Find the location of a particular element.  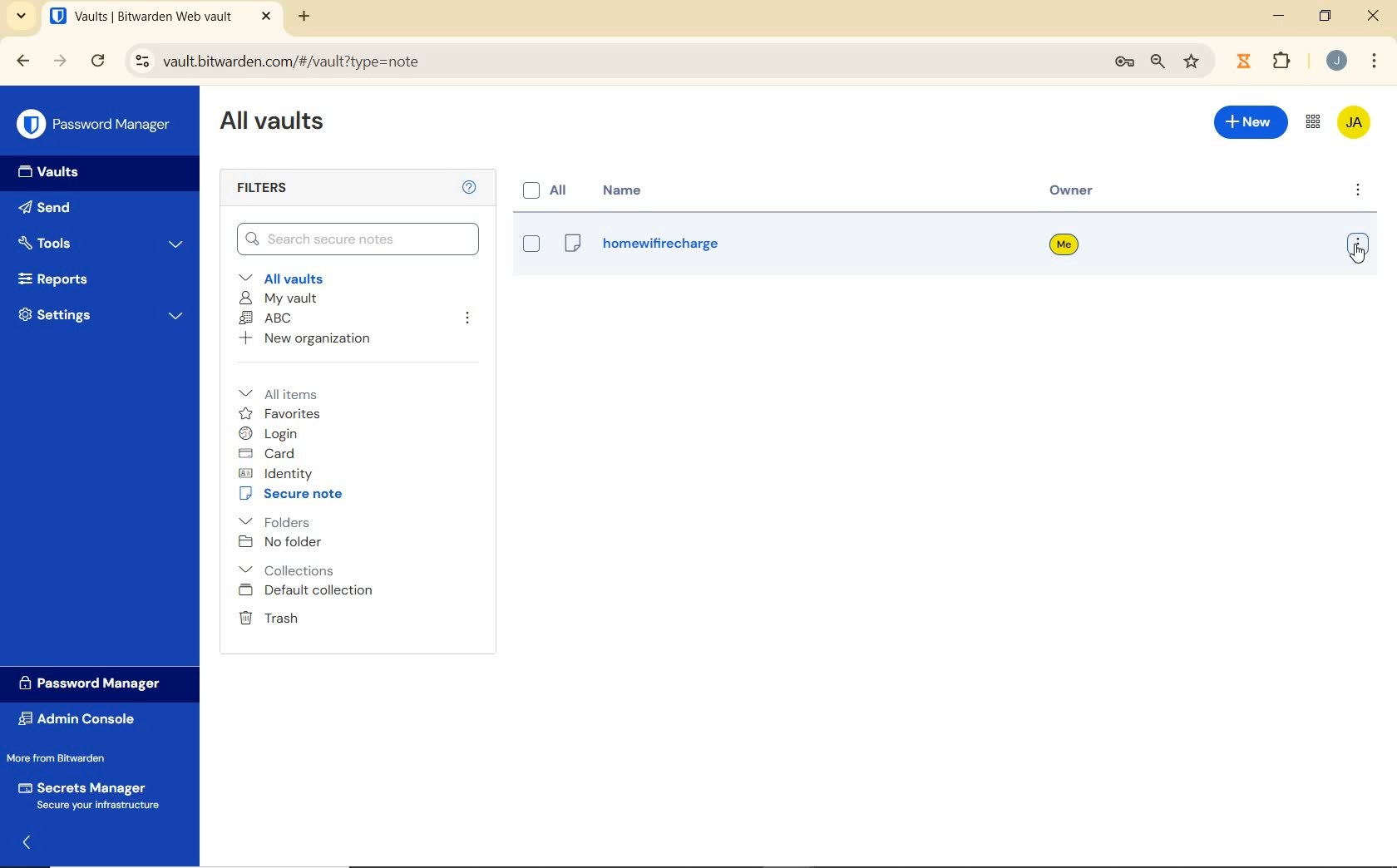

customize Google chrome is located at coordinates (1375, 60).